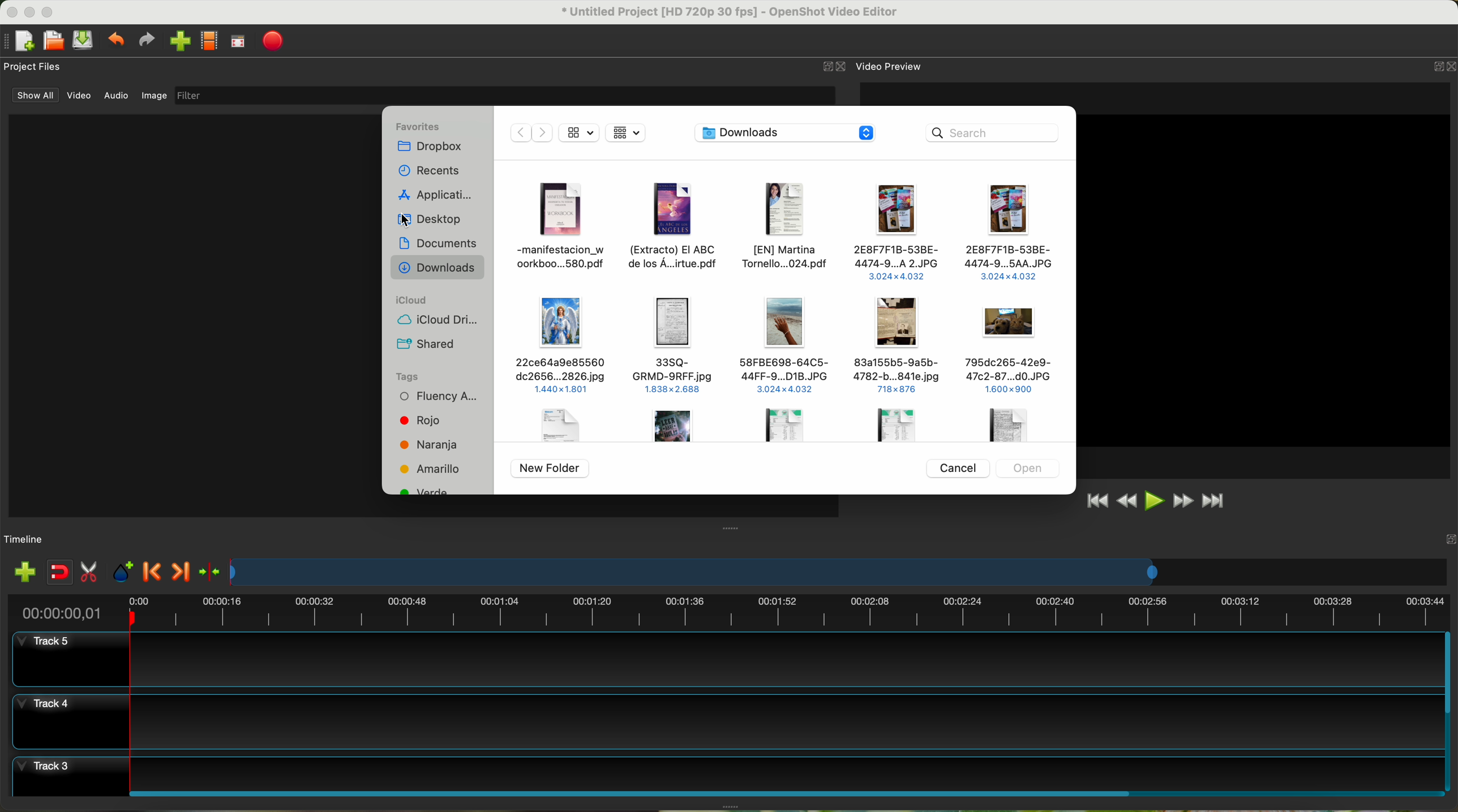 This screenshot has width=1458, height=812. What do you see at coordinates (154, 97) in the screenshot?
I see `image` at bounding box center [154, 97].